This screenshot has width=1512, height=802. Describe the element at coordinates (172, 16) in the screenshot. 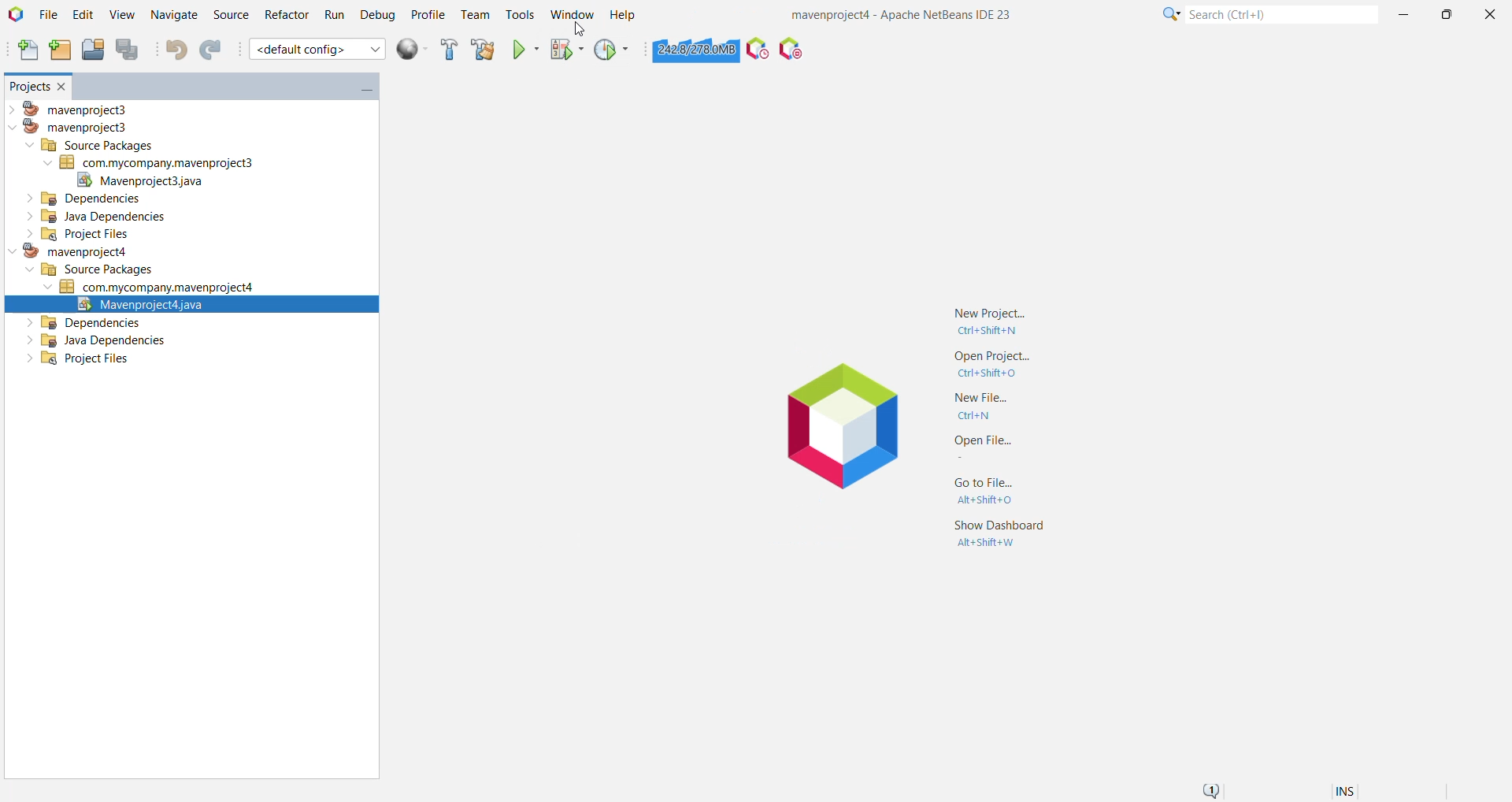

I see `Navigate` at that location.